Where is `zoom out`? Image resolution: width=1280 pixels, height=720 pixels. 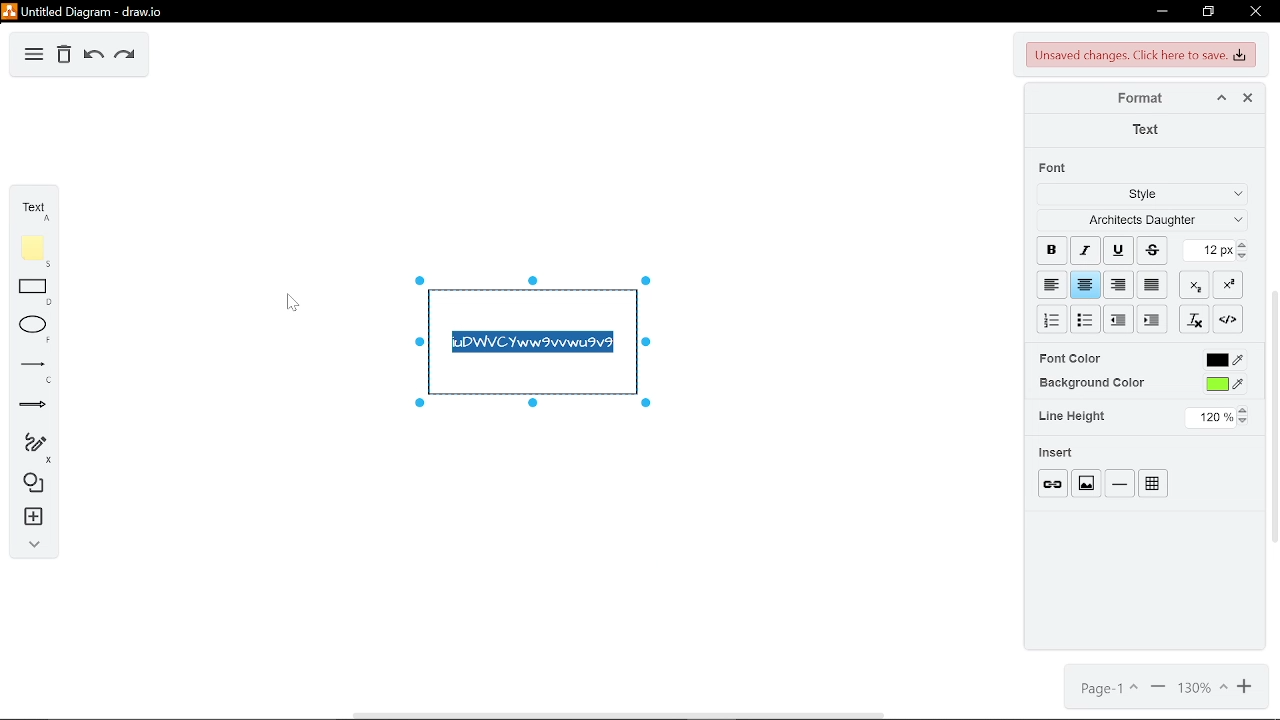
zoom out is located at coordinates (1156, 690).